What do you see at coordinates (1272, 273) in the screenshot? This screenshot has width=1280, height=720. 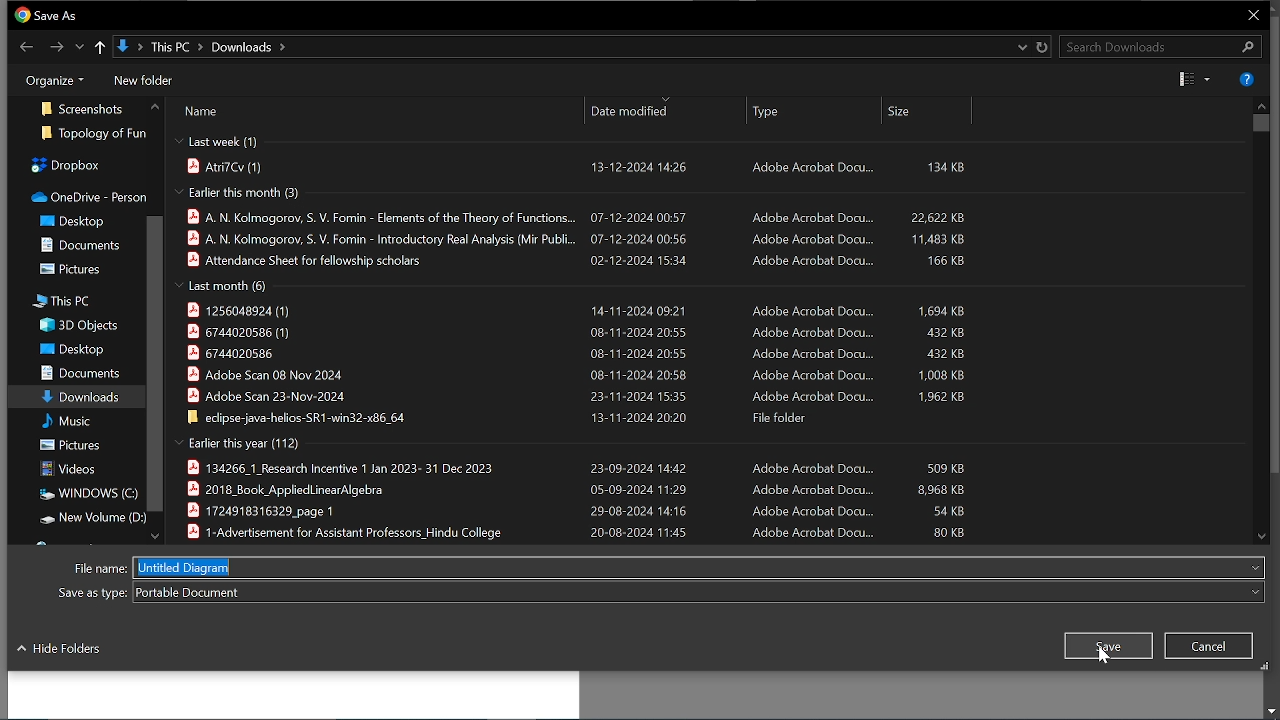 I see `vertical scroll bar` at bounding box center [1272, 273].